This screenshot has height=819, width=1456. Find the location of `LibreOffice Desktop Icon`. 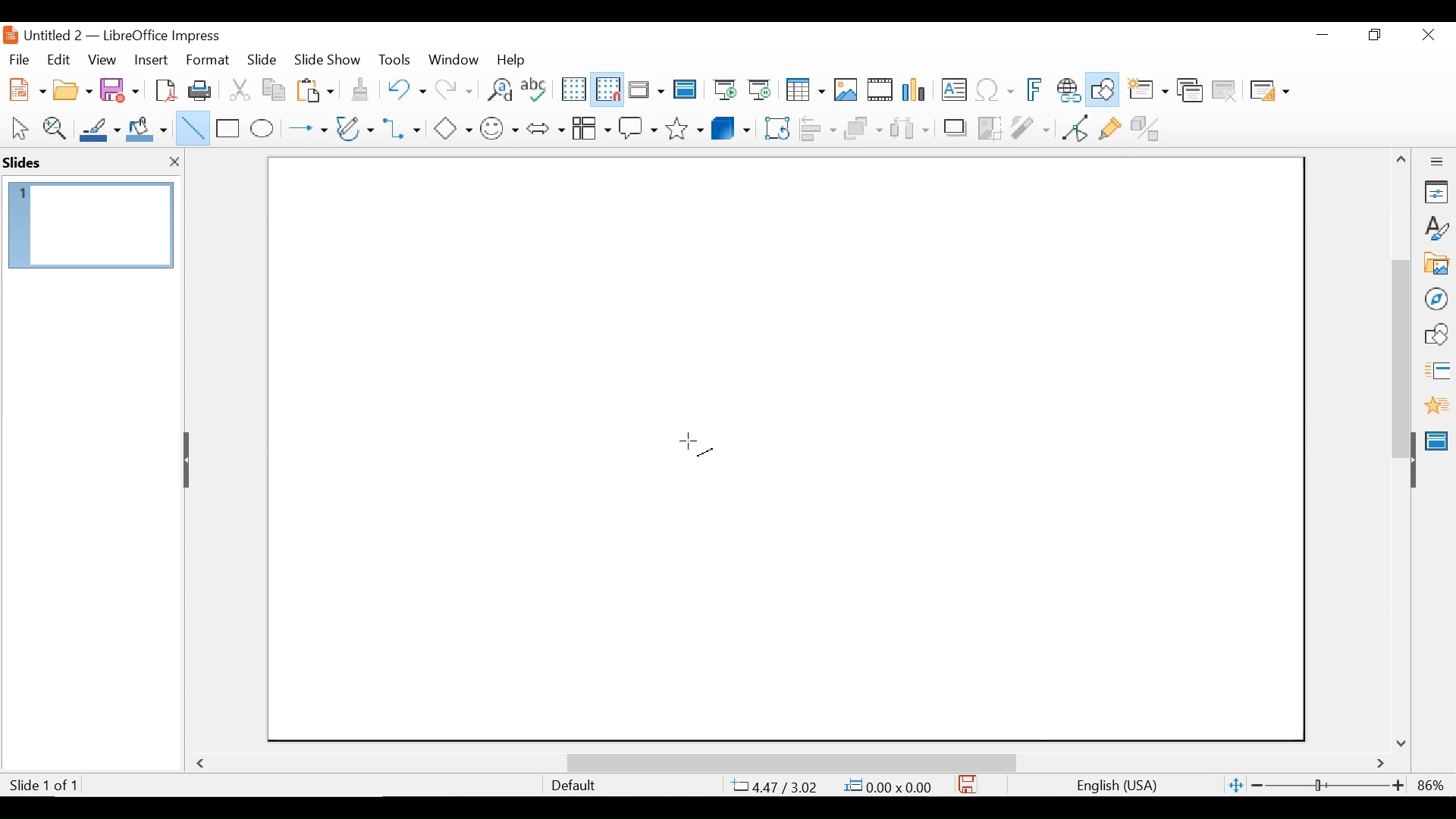

LibreOffice Desktop Icon is located at coordinates (9, 35).